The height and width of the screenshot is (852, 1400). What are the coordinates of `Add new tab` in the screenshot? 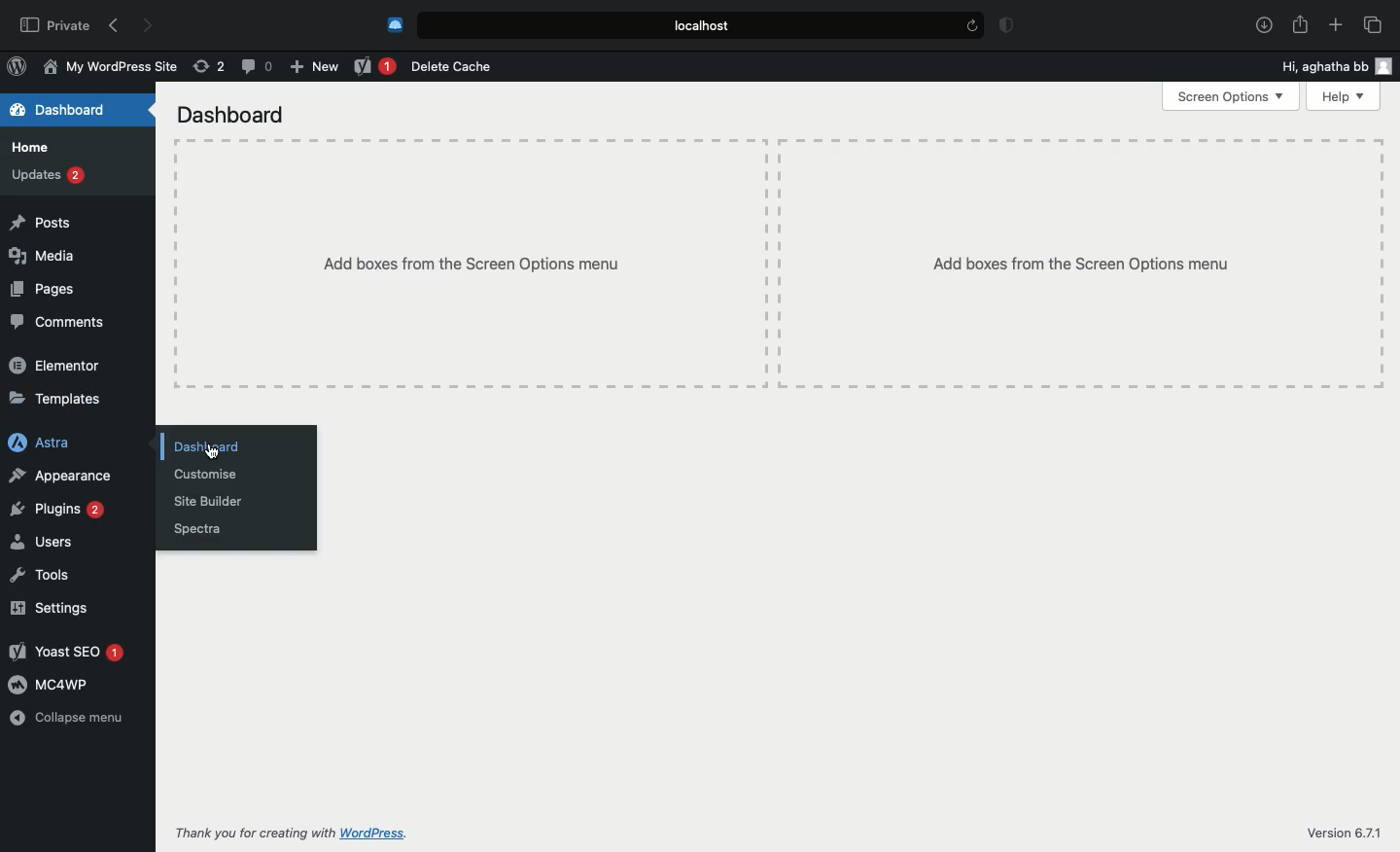 It's located at (1336, 28).